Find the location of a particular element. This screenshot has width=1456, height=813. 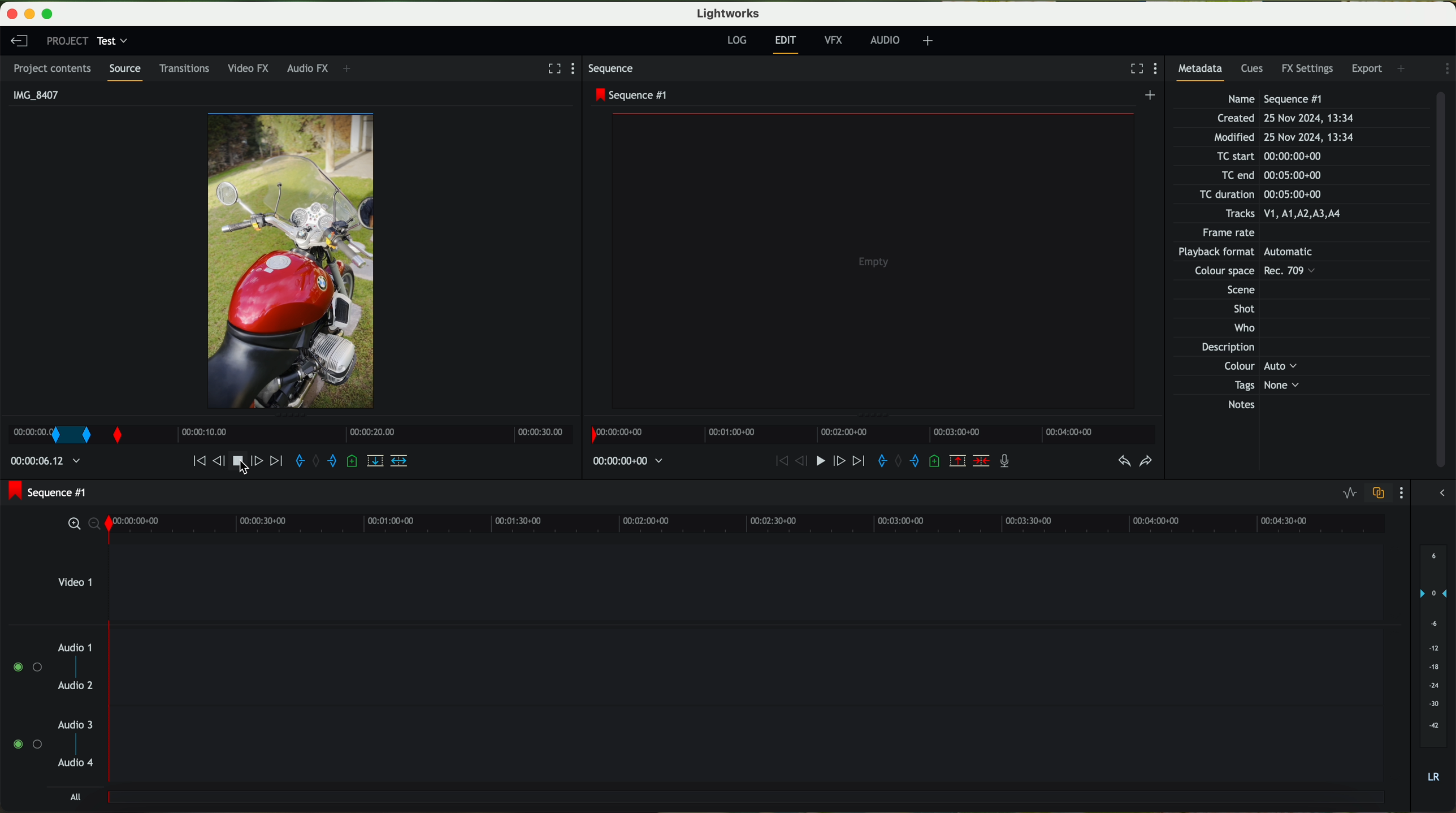

add an out mark is located at coordinates (909, 461).